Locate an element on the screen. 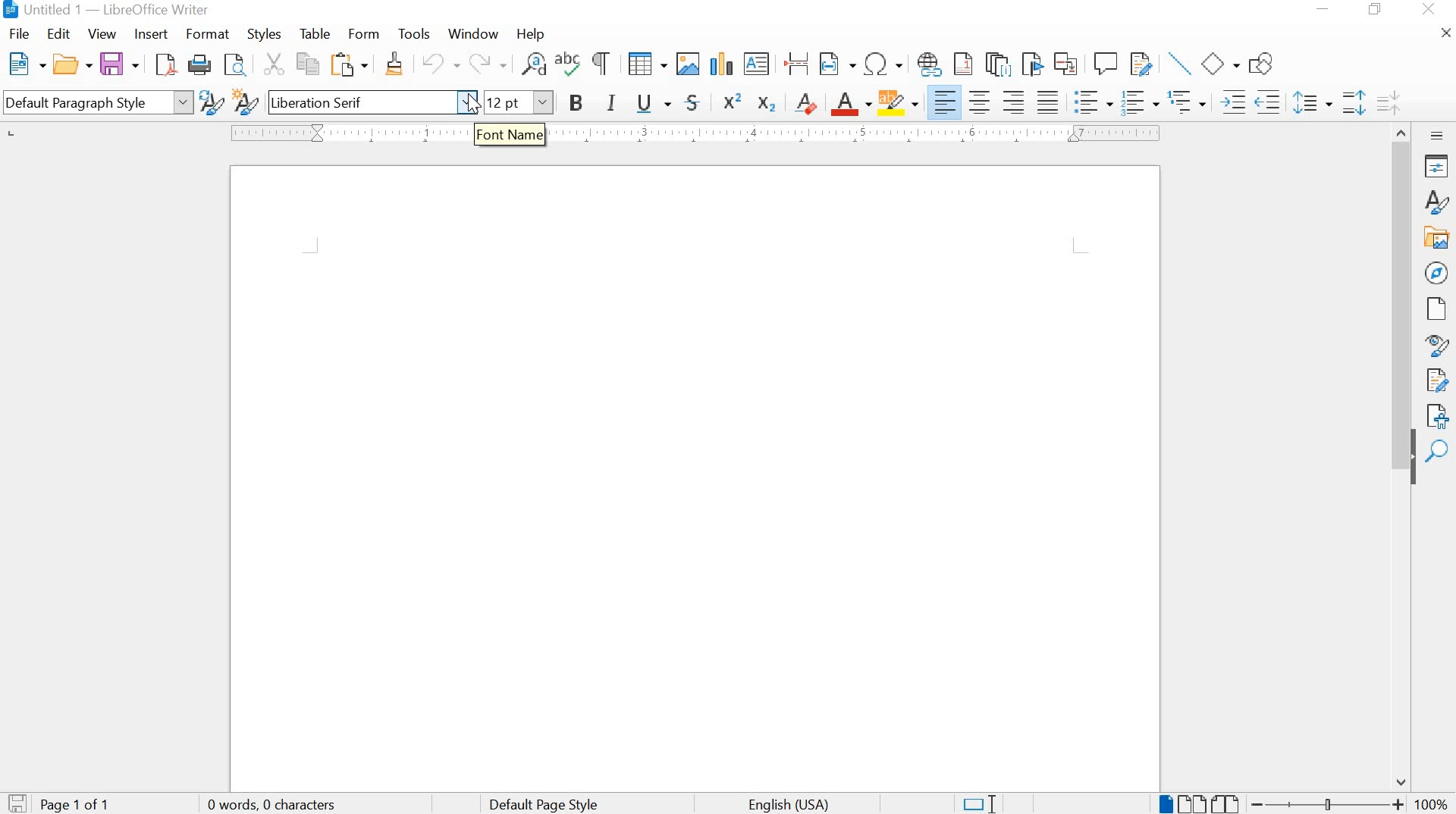 The height and width of the screenshot is (814, 1456). INSERT FOOTNOTE is located at coordinates (964, 65).